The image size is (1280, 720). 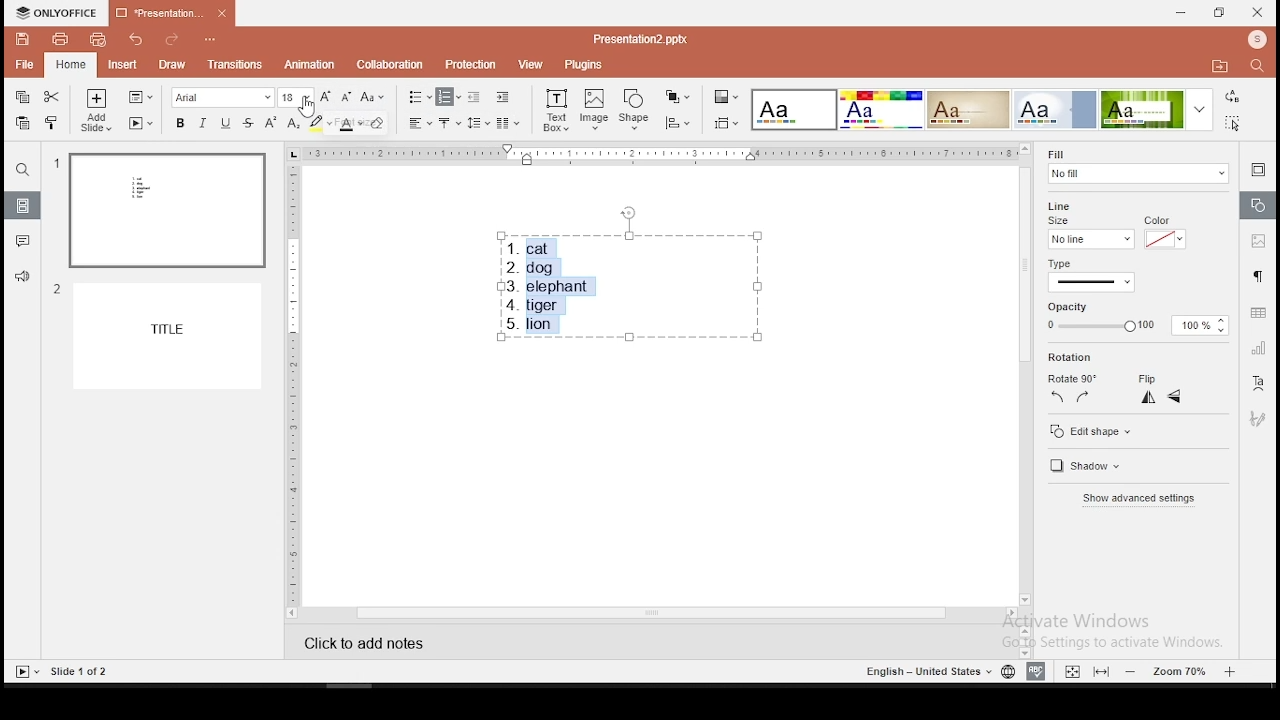 What do you see at coordinates (795, 110) in the screenshot?
I see `theme ` at bounding box center [795, 110].